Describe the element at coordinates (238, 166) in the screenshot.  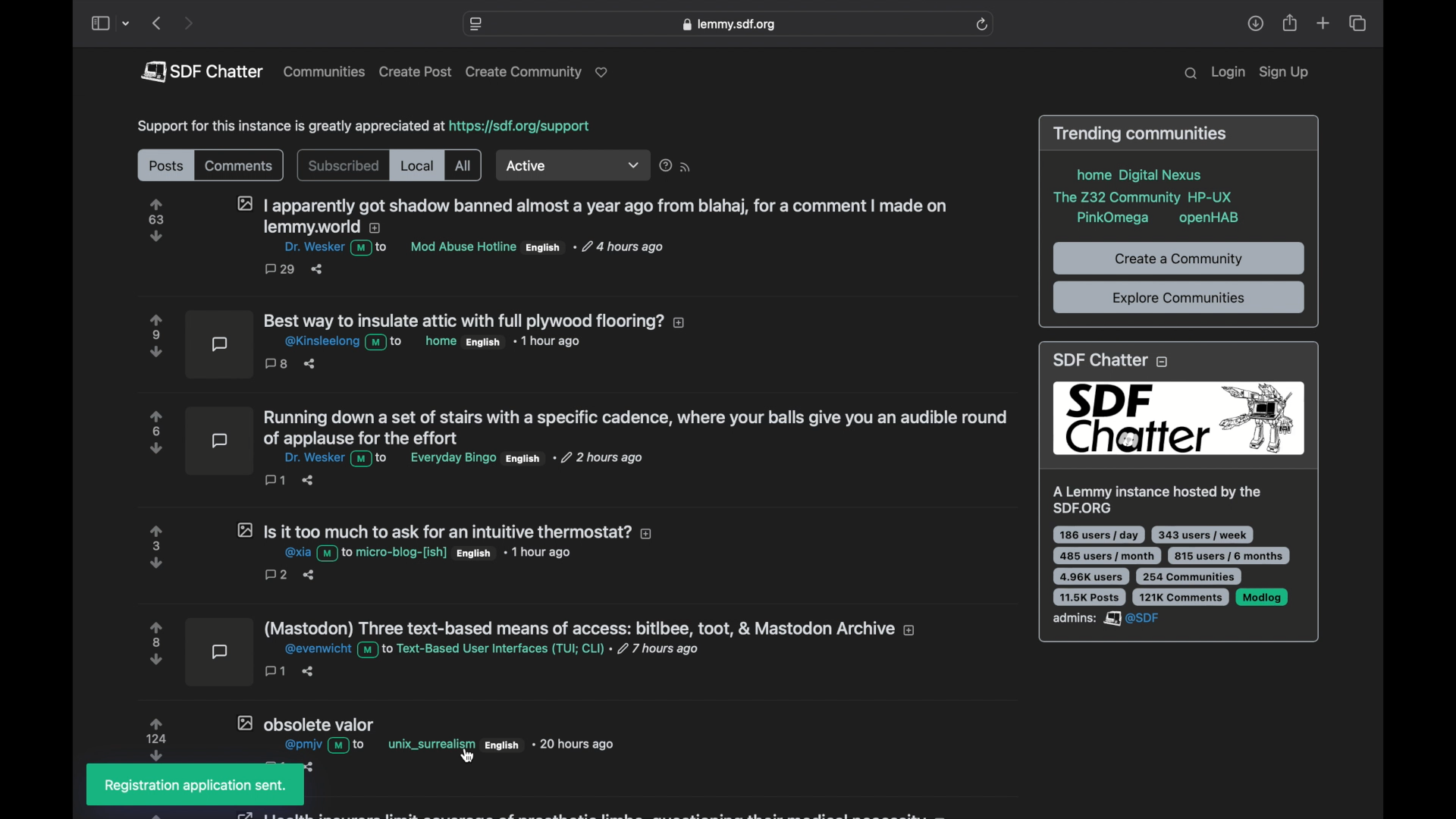
I see `comments` at that location.